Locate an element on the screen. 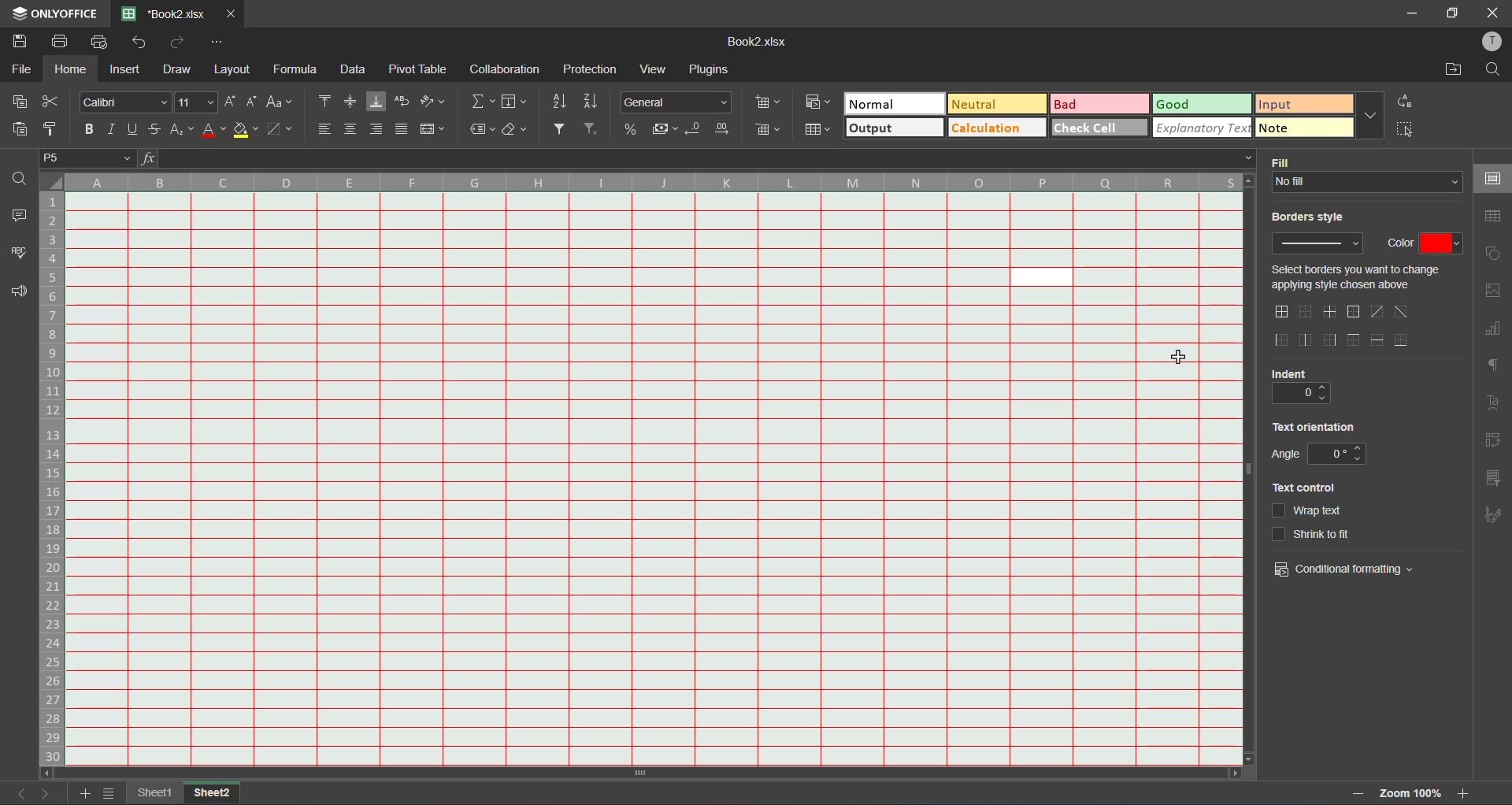 This screenshot has width=1512, height=805. ONLY OFFICE is located at coordinates (57, 10).